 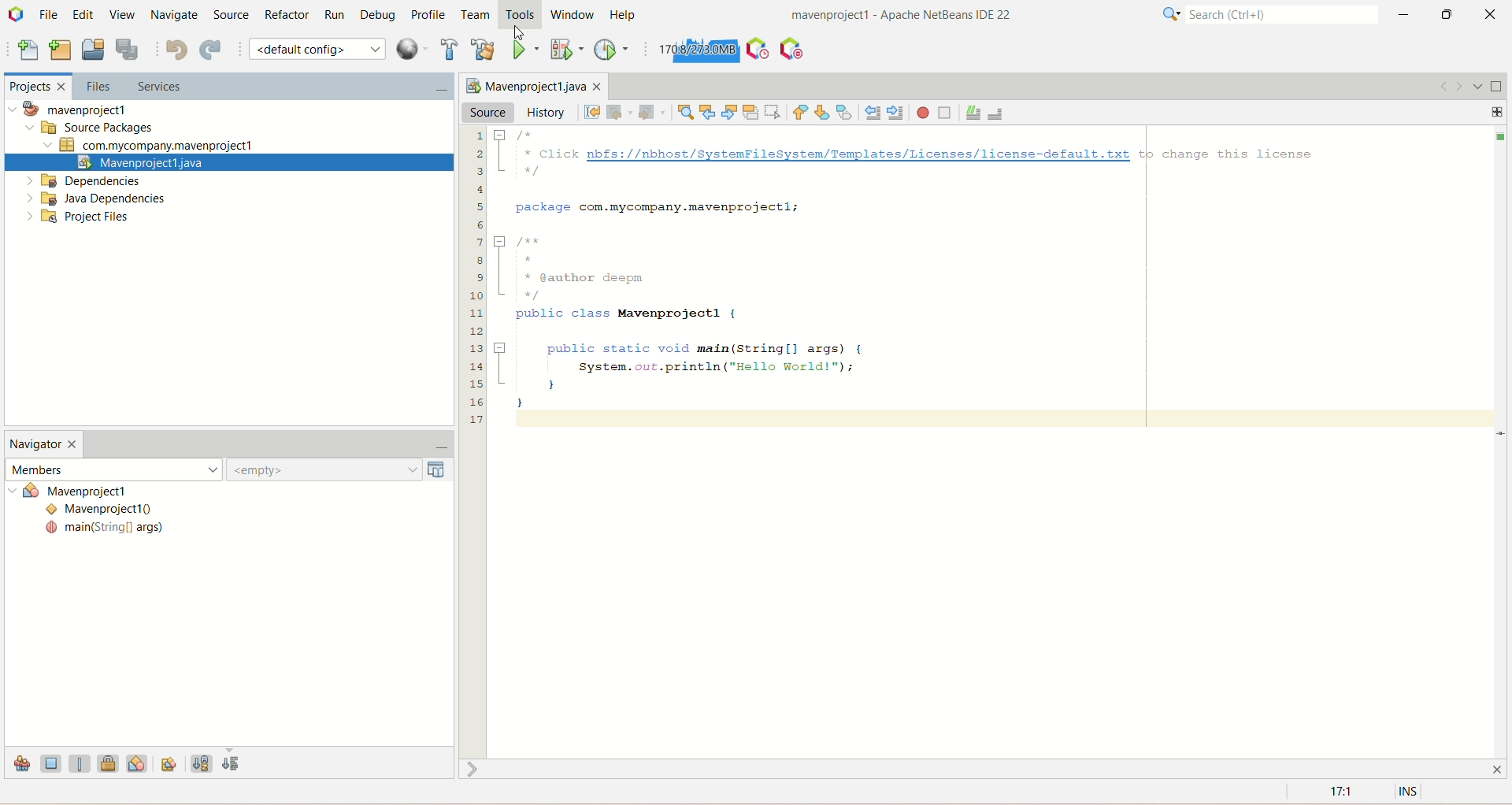 What do you see at coordinates (138, 762) in the screenshot?
I see `show inner classes` at bounding box center [138, 762].